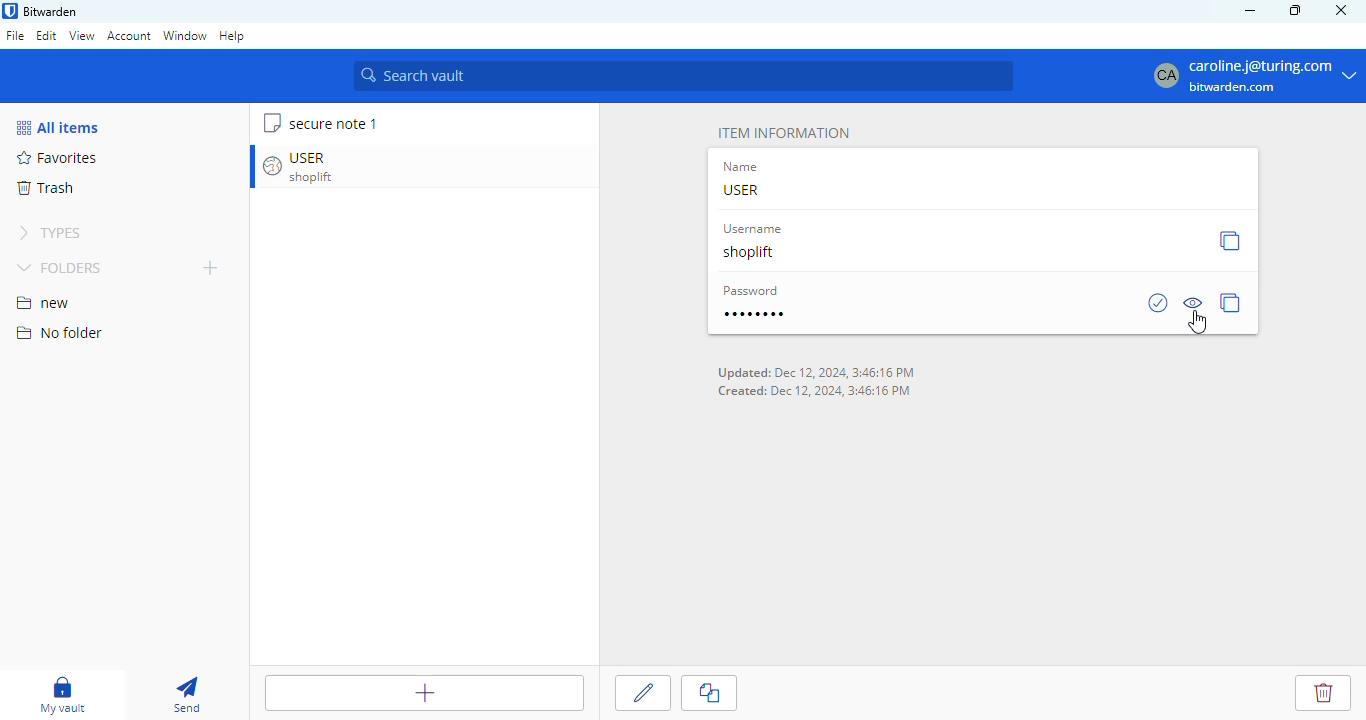 Image resolution: width=1366 pixels, height=720 pixels. Describe the element at coordinates (232, 35) in the screenshot. I see `help` at that location.